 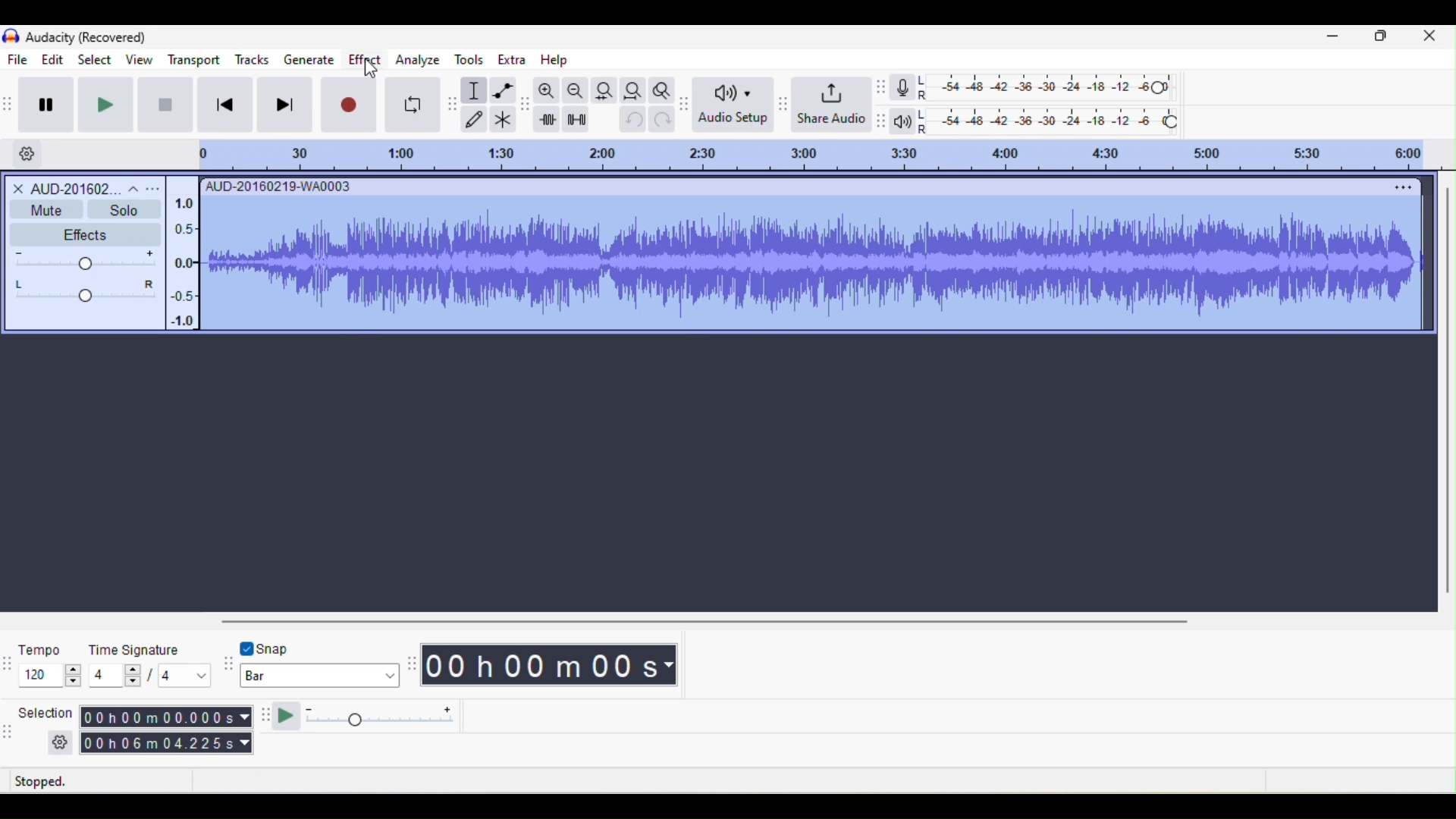 What do you see at coordinates (526, 106) in the screenshot?
I see `audacity edit toolbar` at bounding box center [526, 106].